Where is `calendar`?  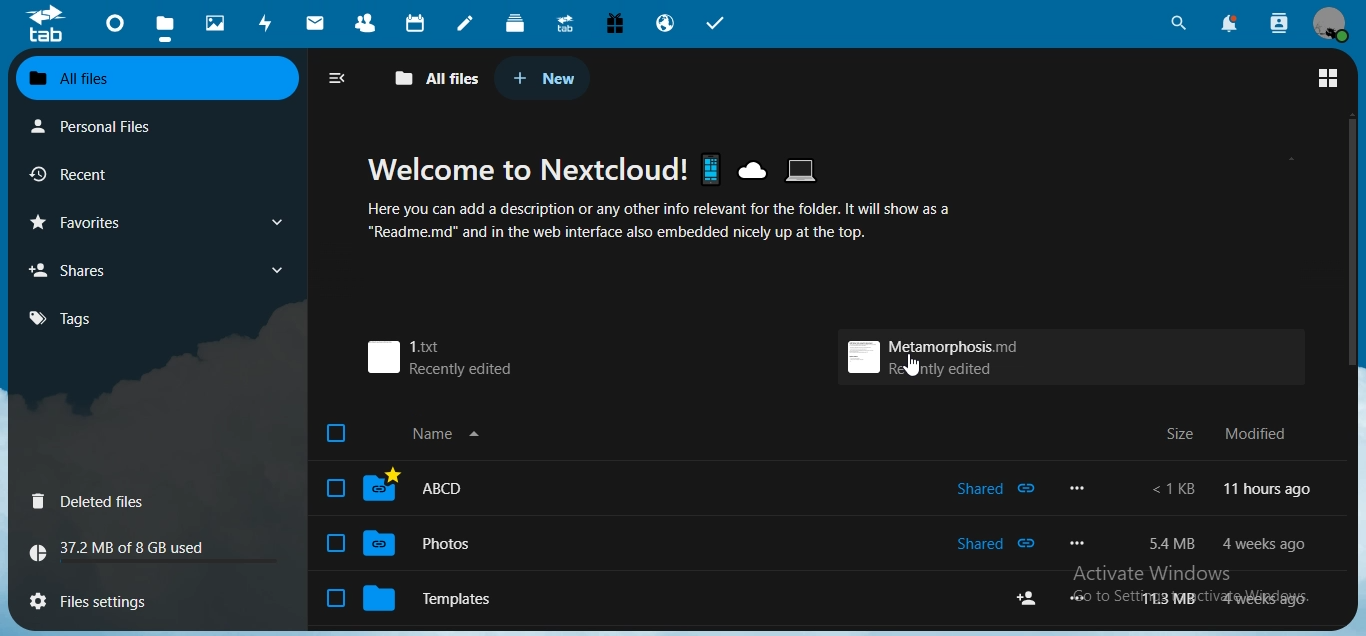 calendar is located at coordinates (413, 21).